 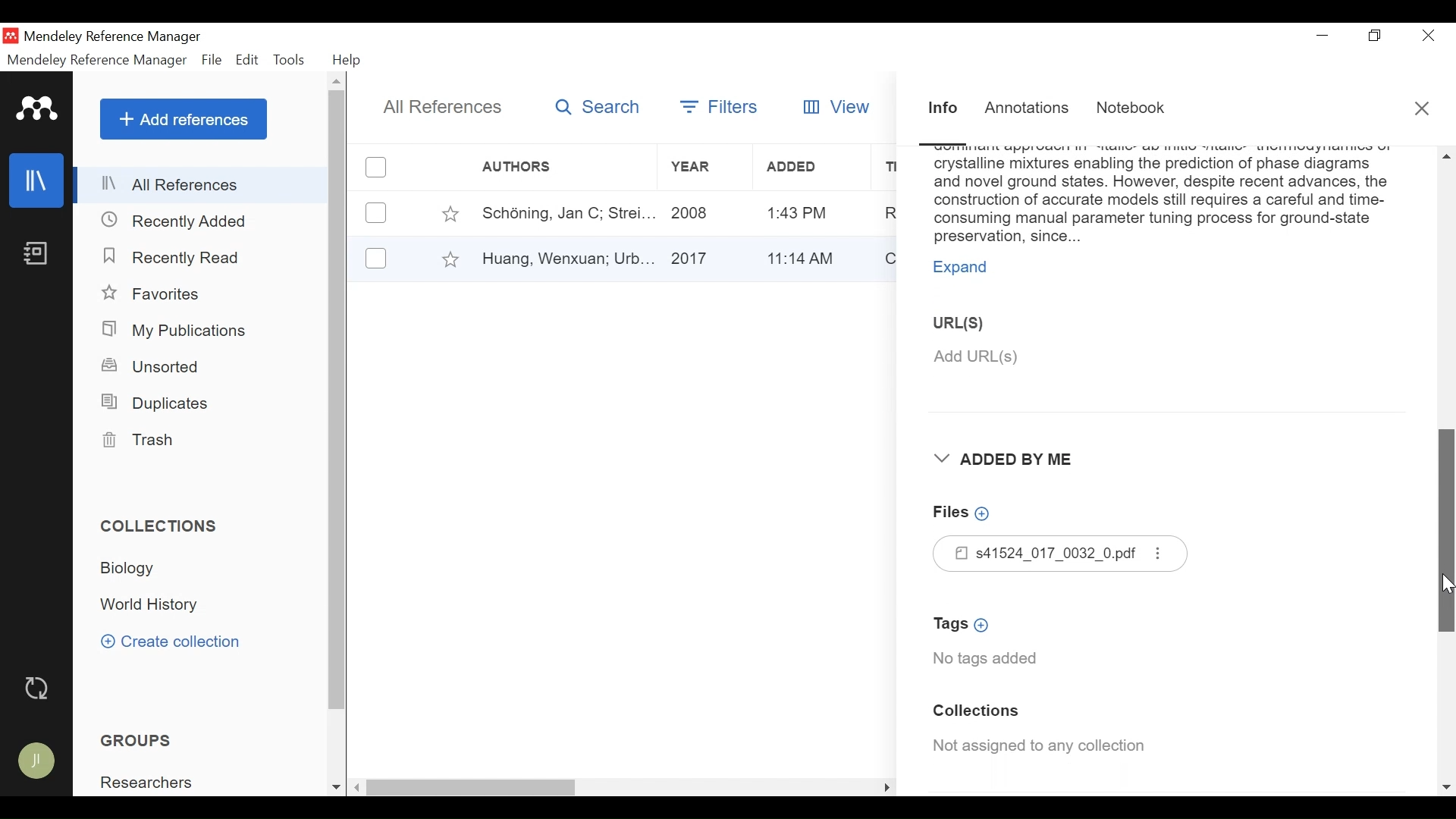 What do you see at coordinates (1377, 36) in the screenshot?
I see `Restore` at bounding box center [1377, 36].